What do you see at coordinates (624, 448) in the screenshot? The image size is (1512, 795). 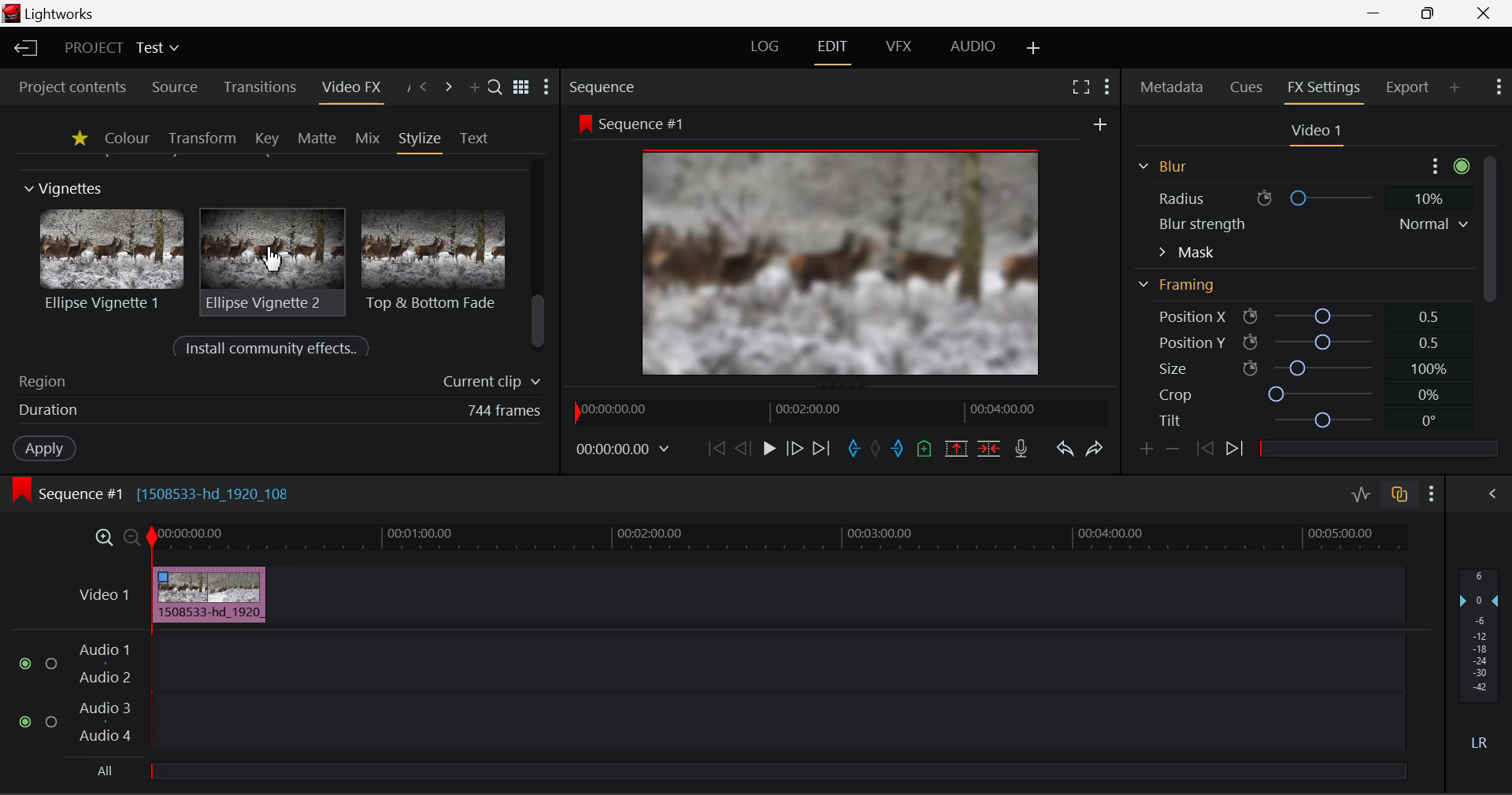 I see `Frame Time` at bounding box center [624, 448].